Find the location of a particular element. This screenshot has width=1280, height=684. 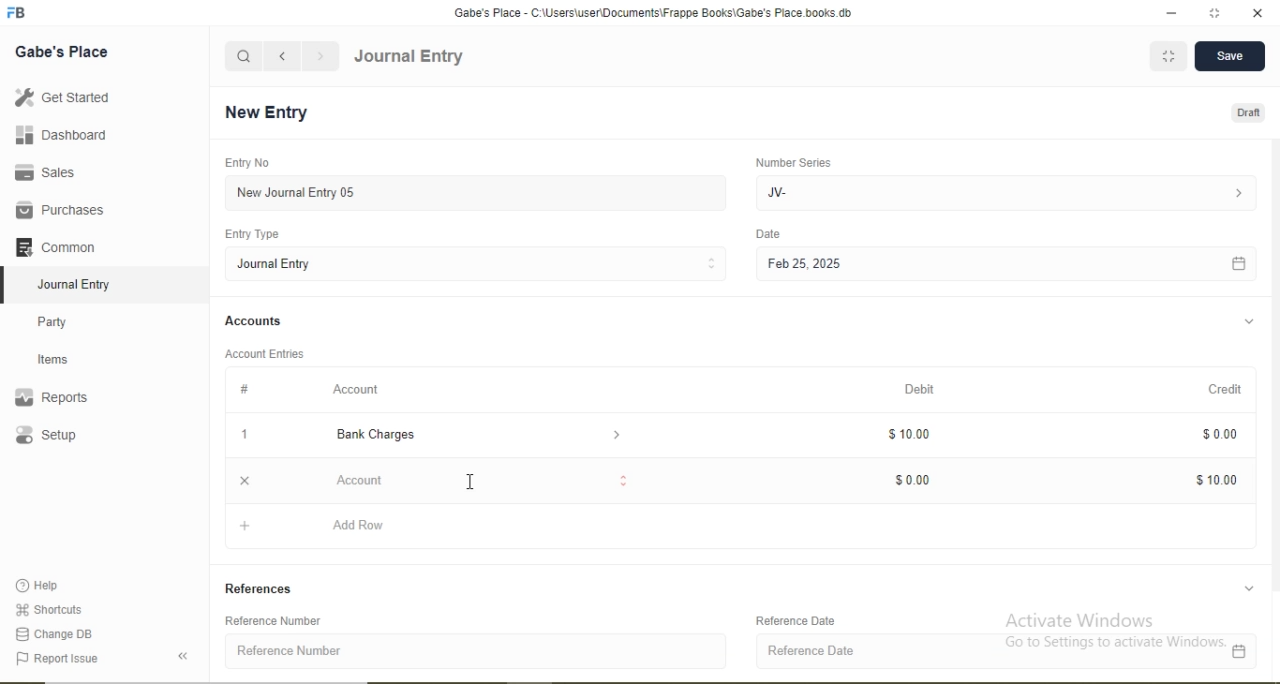

close is located at coordinates (241, 481).